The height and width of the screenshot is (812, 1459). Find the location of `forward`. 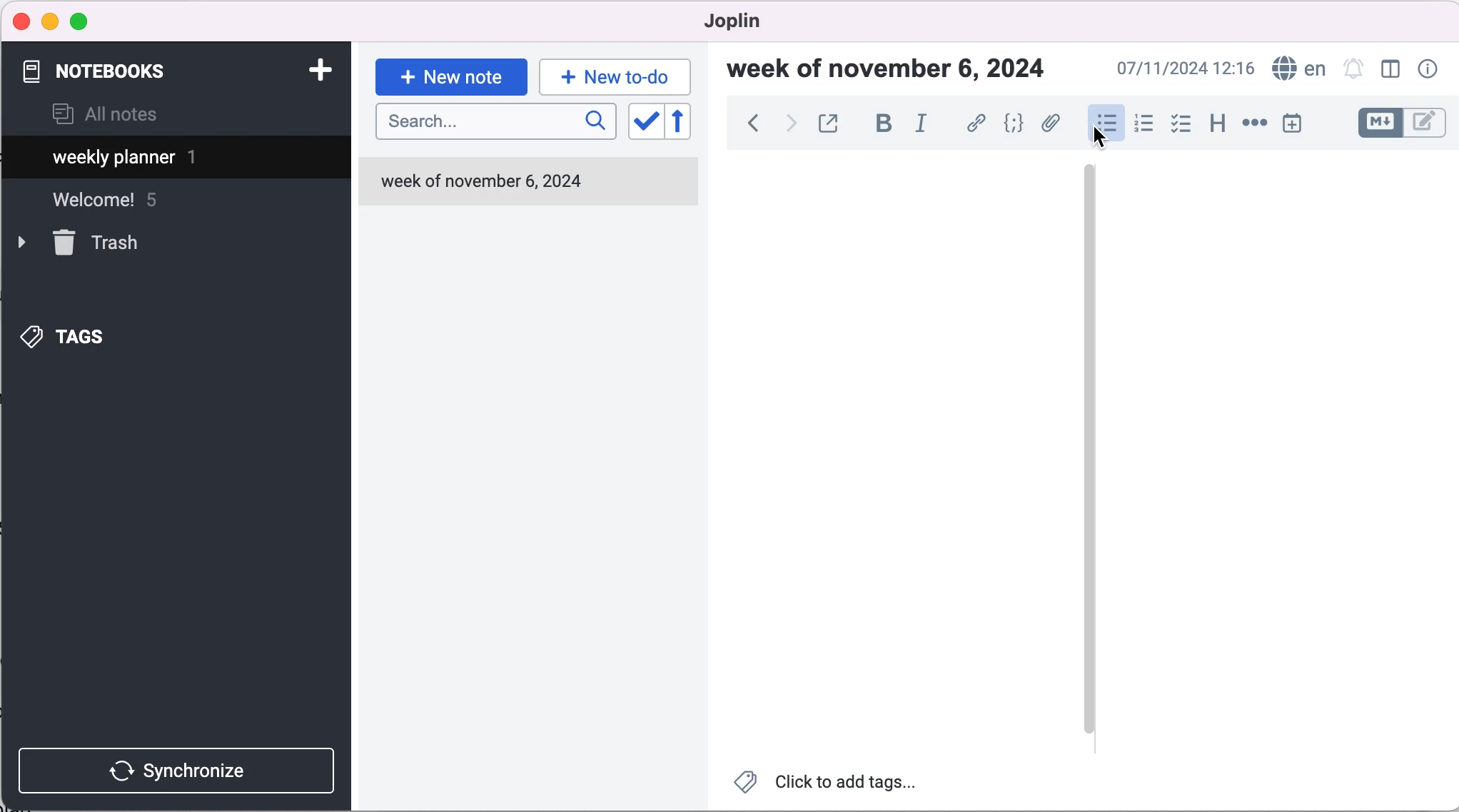

forward is located at coordinates (789, 126).